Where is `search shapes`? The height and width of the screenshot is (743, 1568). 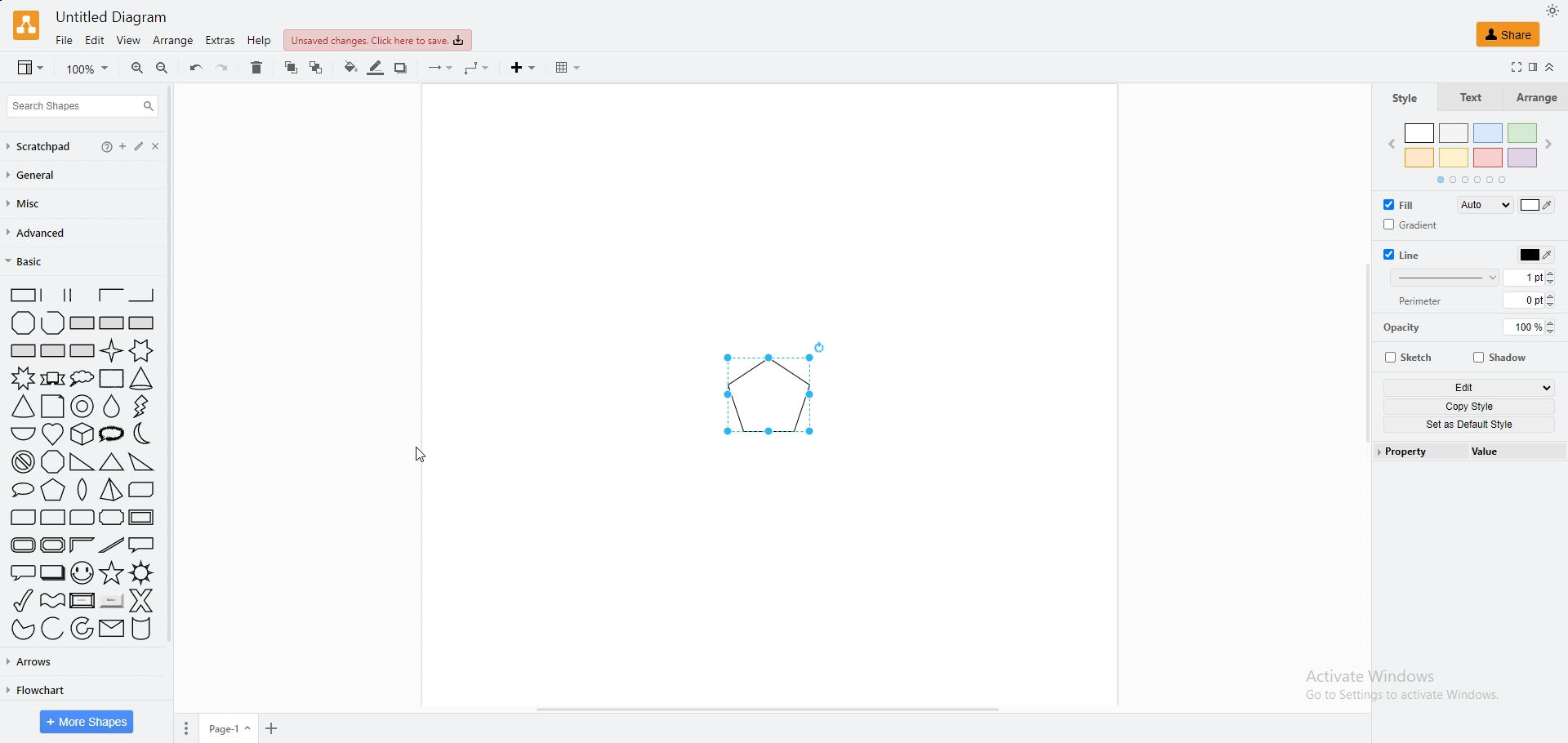
search shapes is located at coordinates (82, 106).